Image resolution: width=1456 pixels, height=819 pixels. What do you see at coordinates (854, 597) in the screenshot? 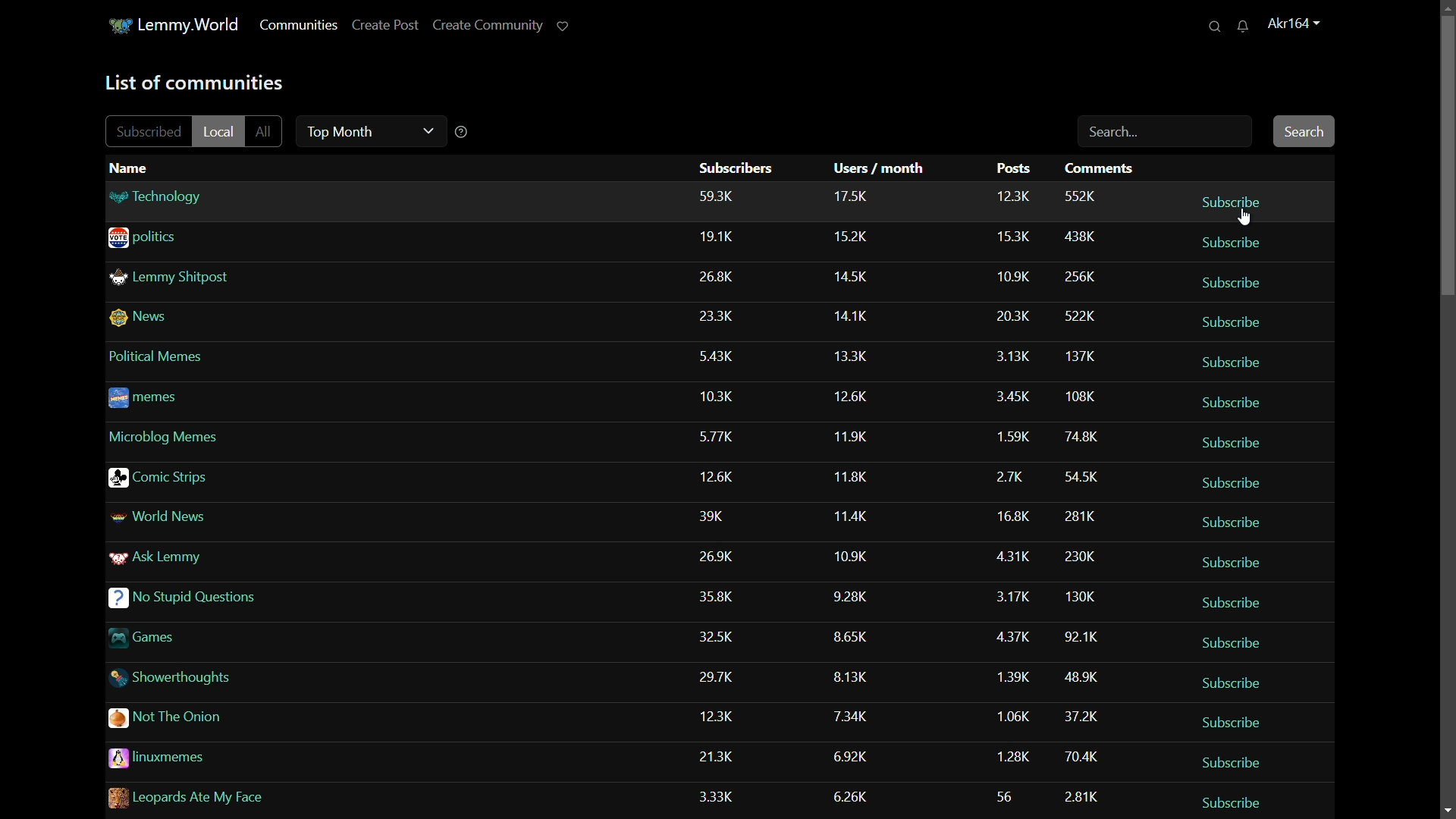
I see `user per month` at bounding box center [854, 597].